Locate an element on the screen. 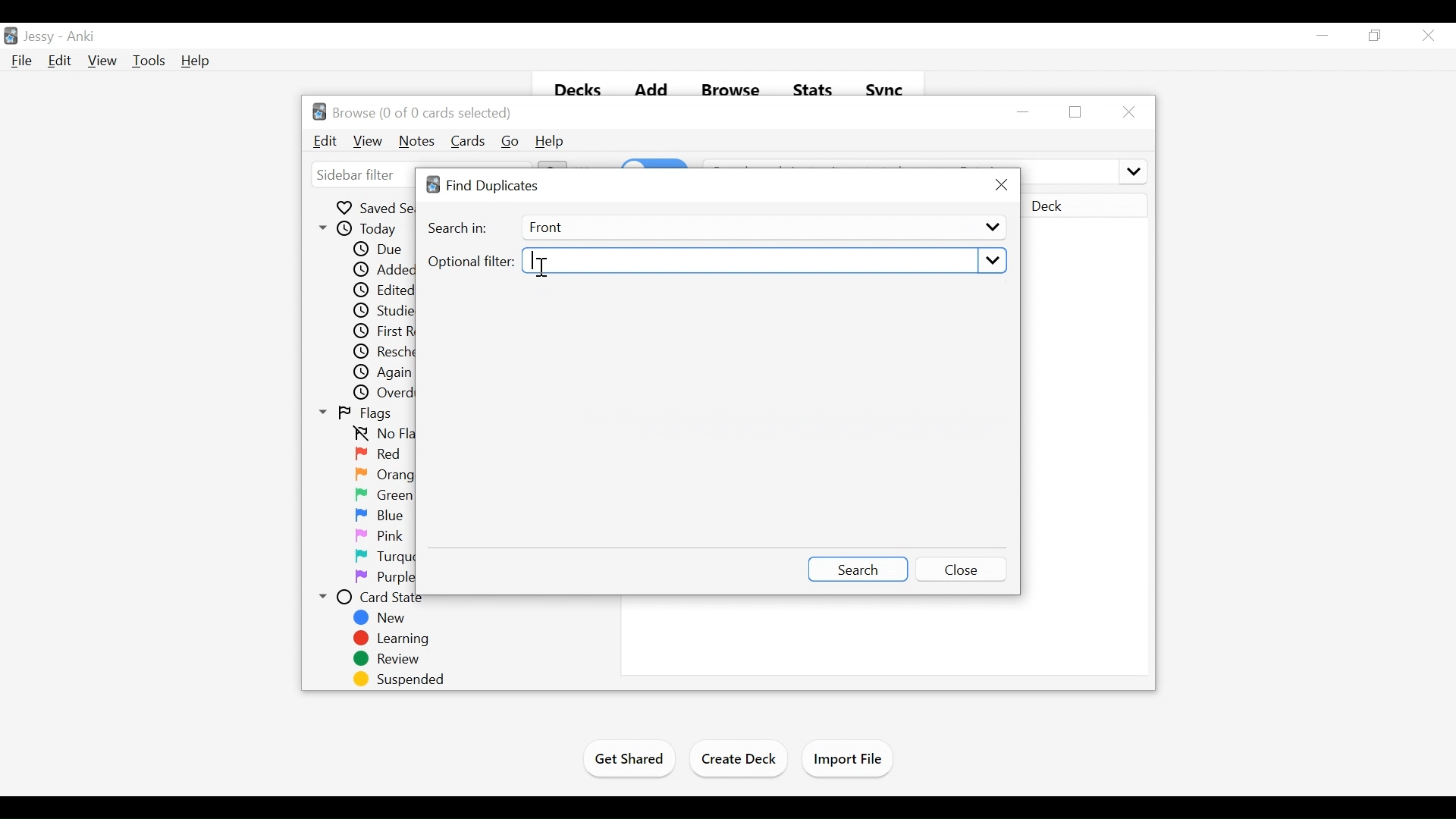 The width and height of the screenshot is (1456, 819). Cards is located at coordinates (469, 141).